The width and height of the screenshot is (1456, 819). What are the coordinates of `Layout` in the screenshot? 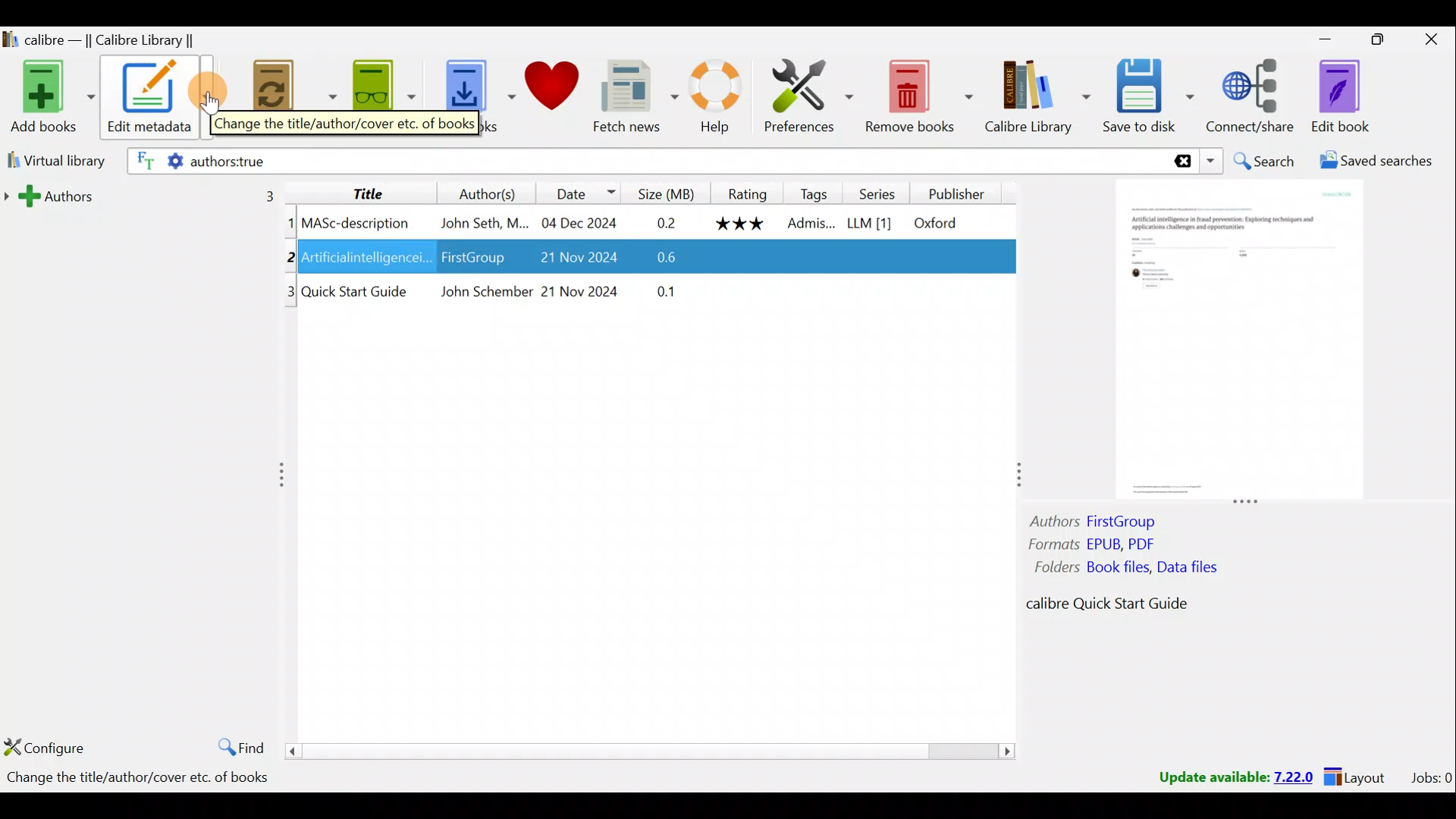 It's located at (1358, 775).